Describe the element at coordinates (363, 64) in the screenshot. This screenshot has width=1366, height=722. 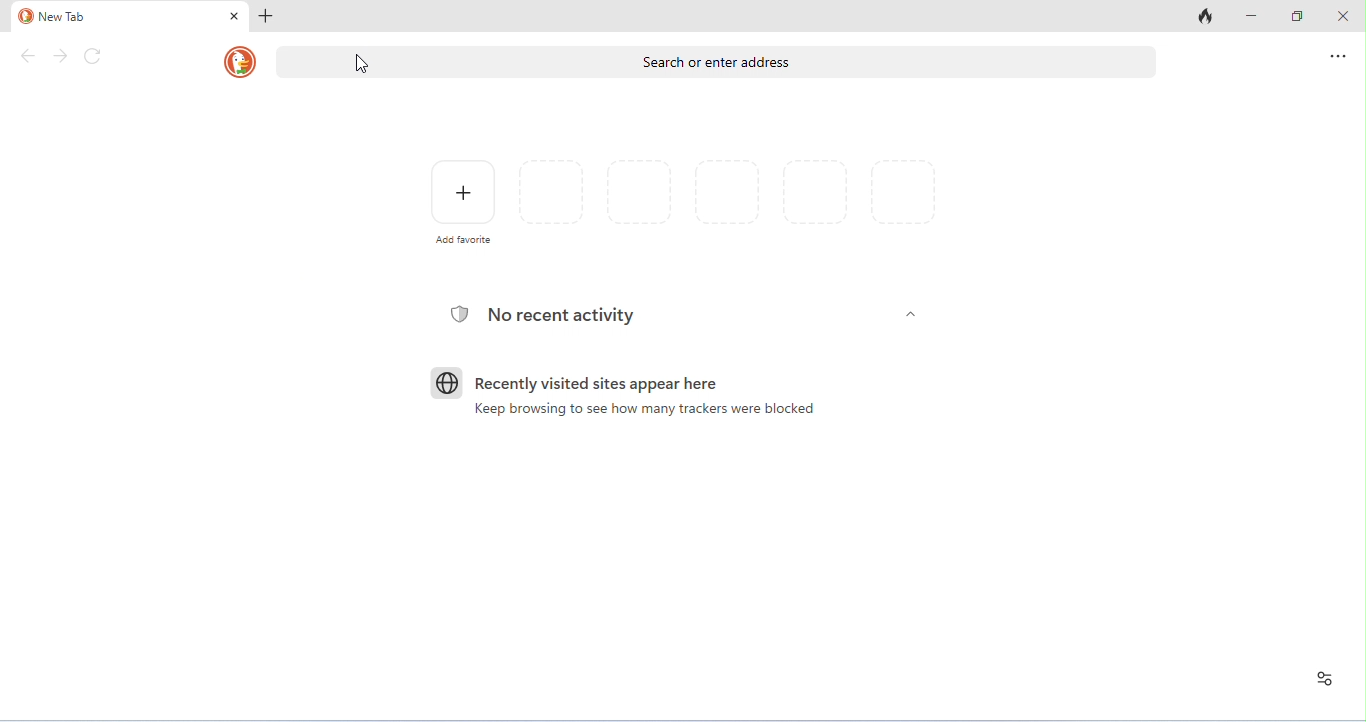
I see `cursor` at that location.